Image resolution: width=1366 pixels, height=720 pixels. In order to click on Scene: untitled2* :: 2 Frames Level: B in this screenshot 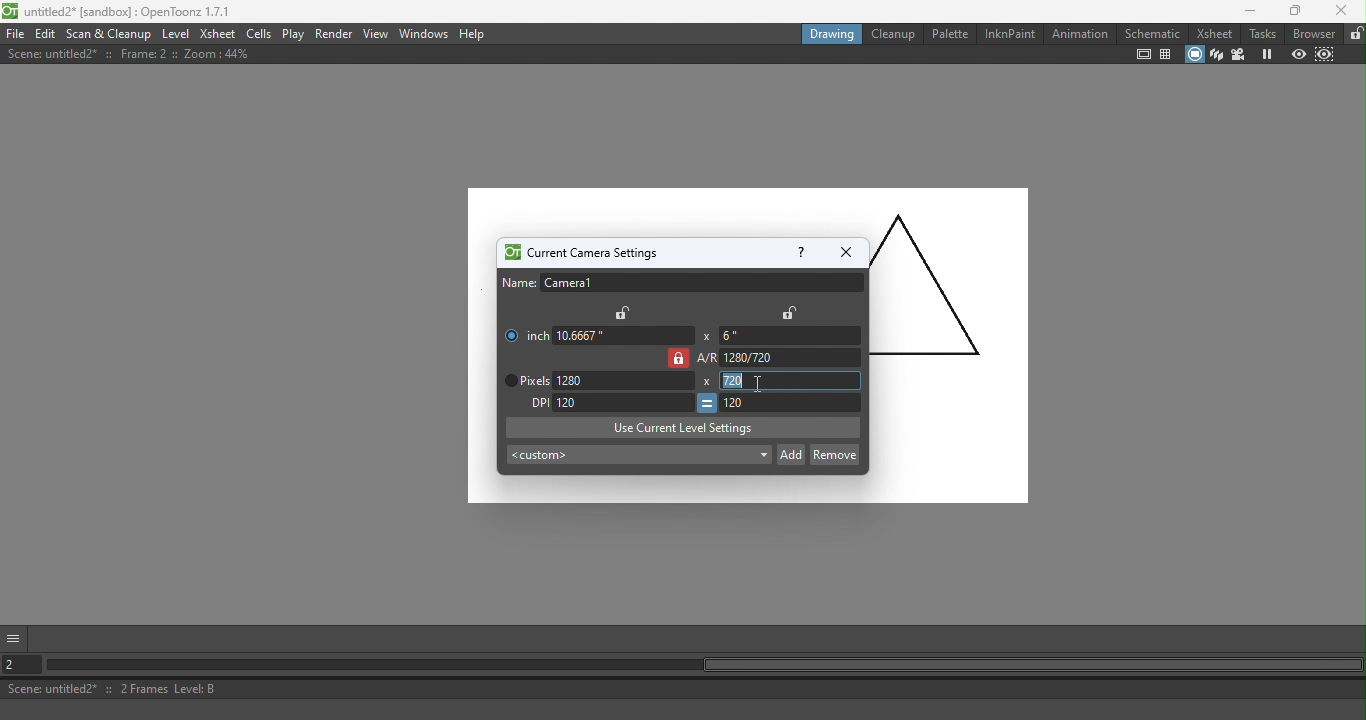, I will do `click(685, 688)`.